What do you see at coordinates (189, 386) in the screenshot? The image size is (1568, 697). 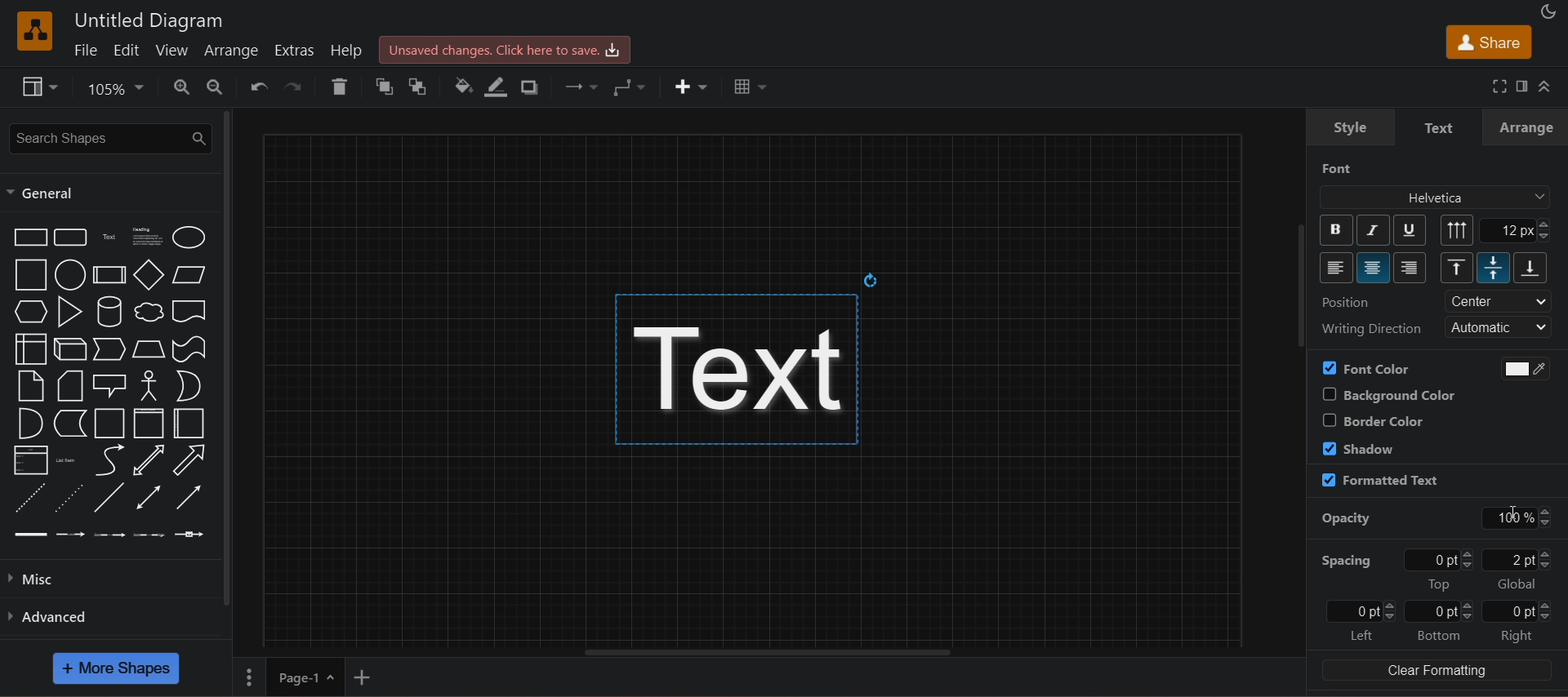 I see `or` at bounding box center [189, 386].